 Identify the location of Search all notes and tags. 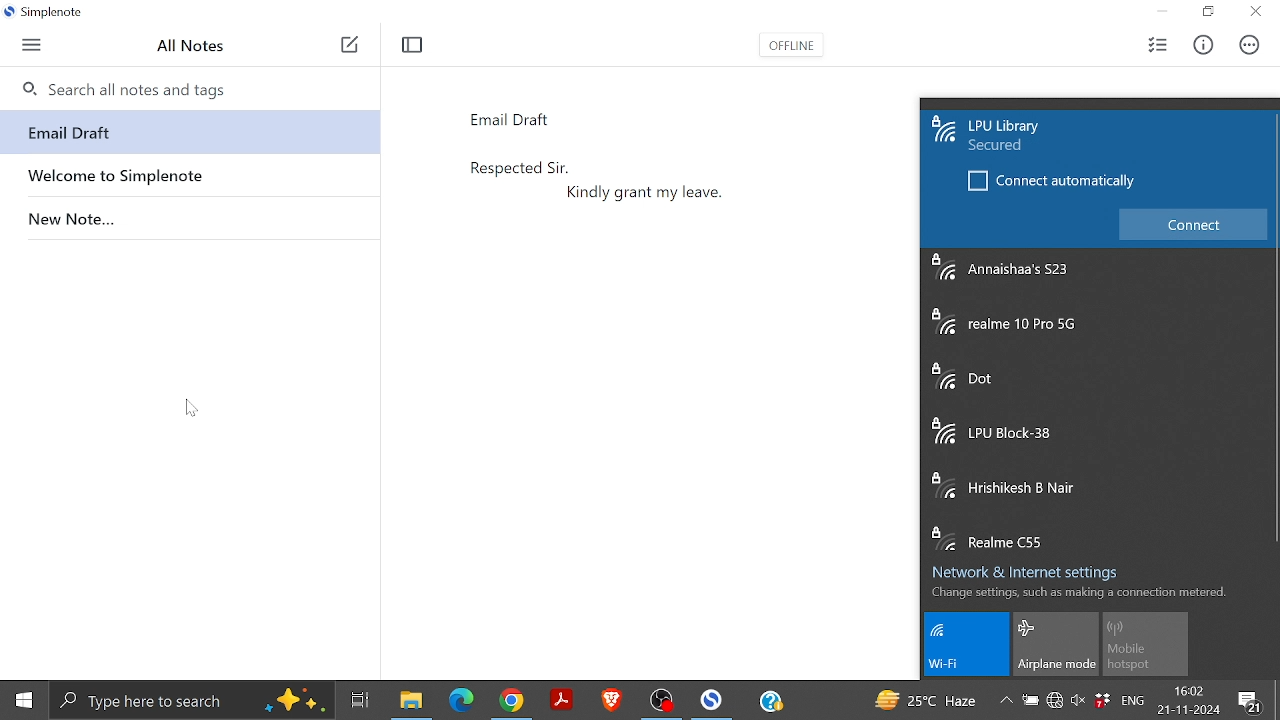
(188, 86).